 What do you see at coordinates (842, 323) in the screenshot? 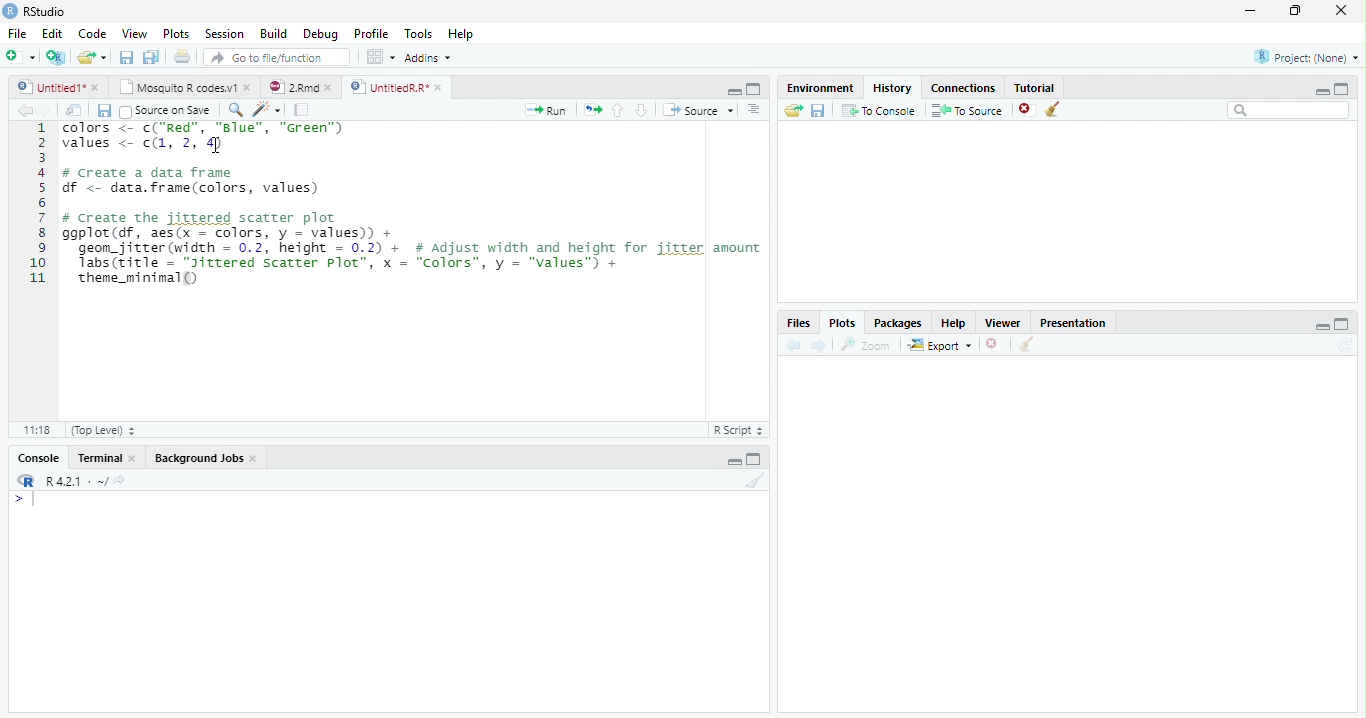
I see `Plots` at bounding box center [842, 323].